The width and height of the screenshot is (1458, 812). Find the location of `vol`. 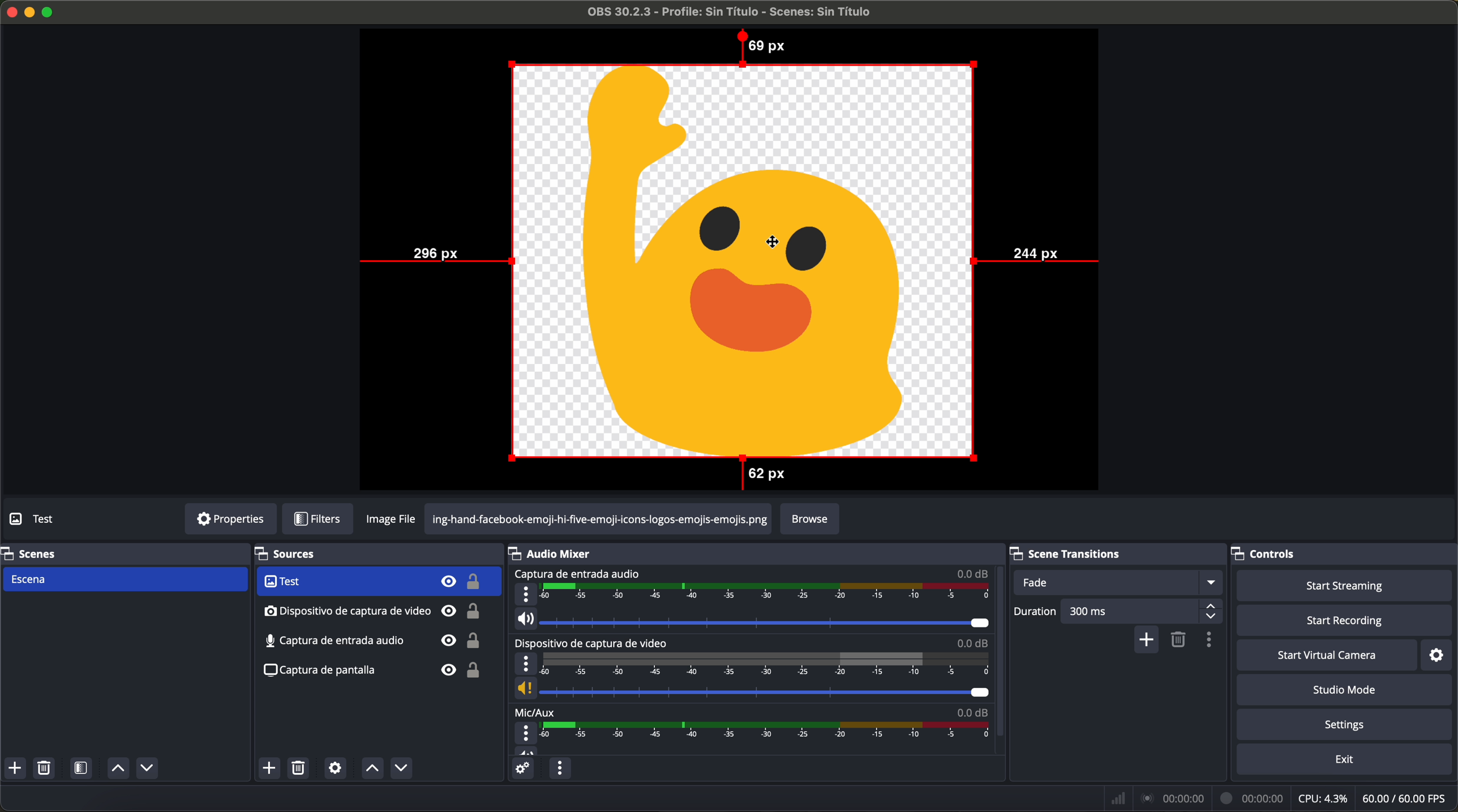

vol is located at coordinates (526, 750).